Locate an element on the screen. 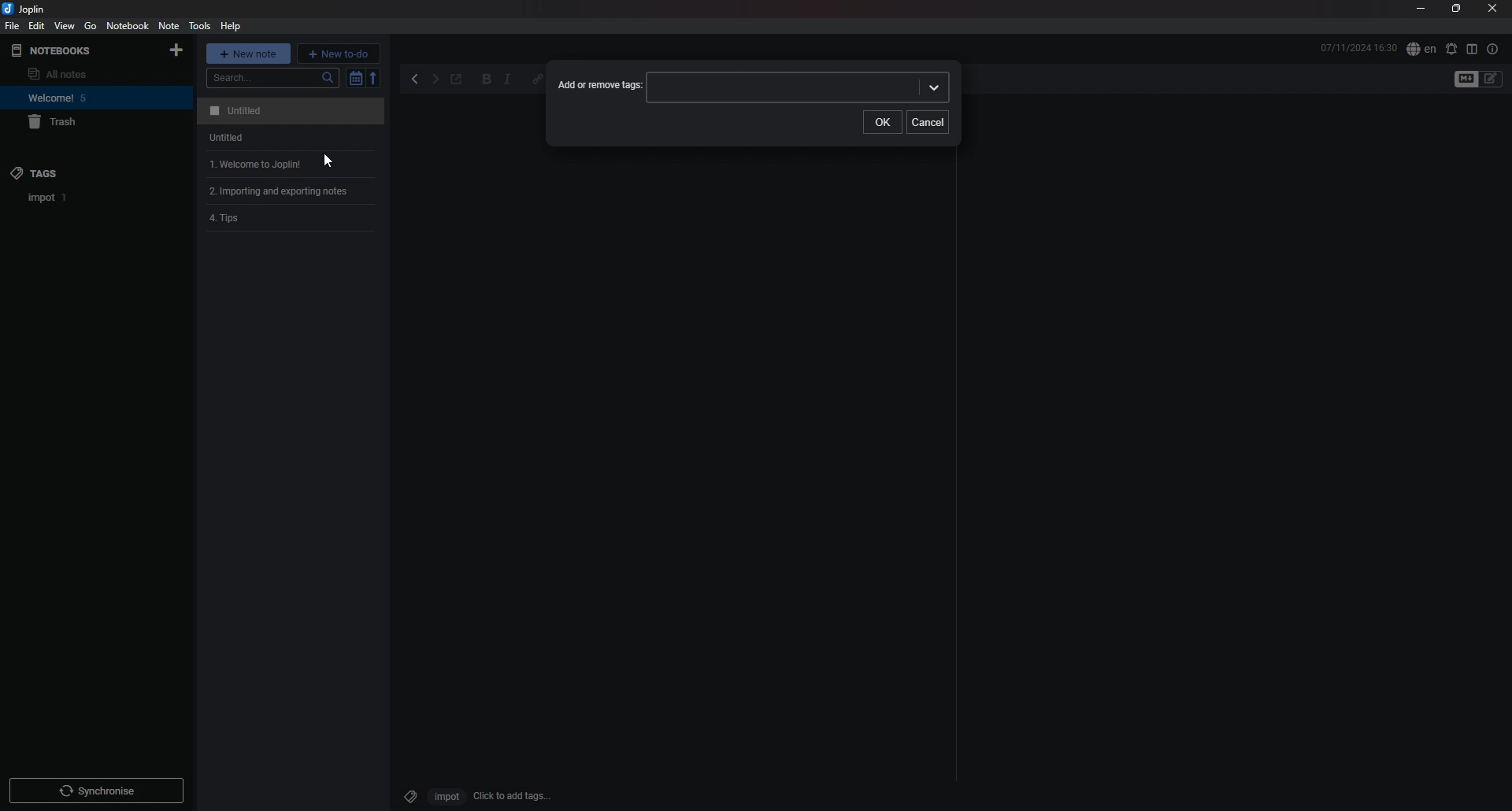 Image resolution: width=1512 pixels, height=811 pixels. HELP is located at coordinates (231, 26).